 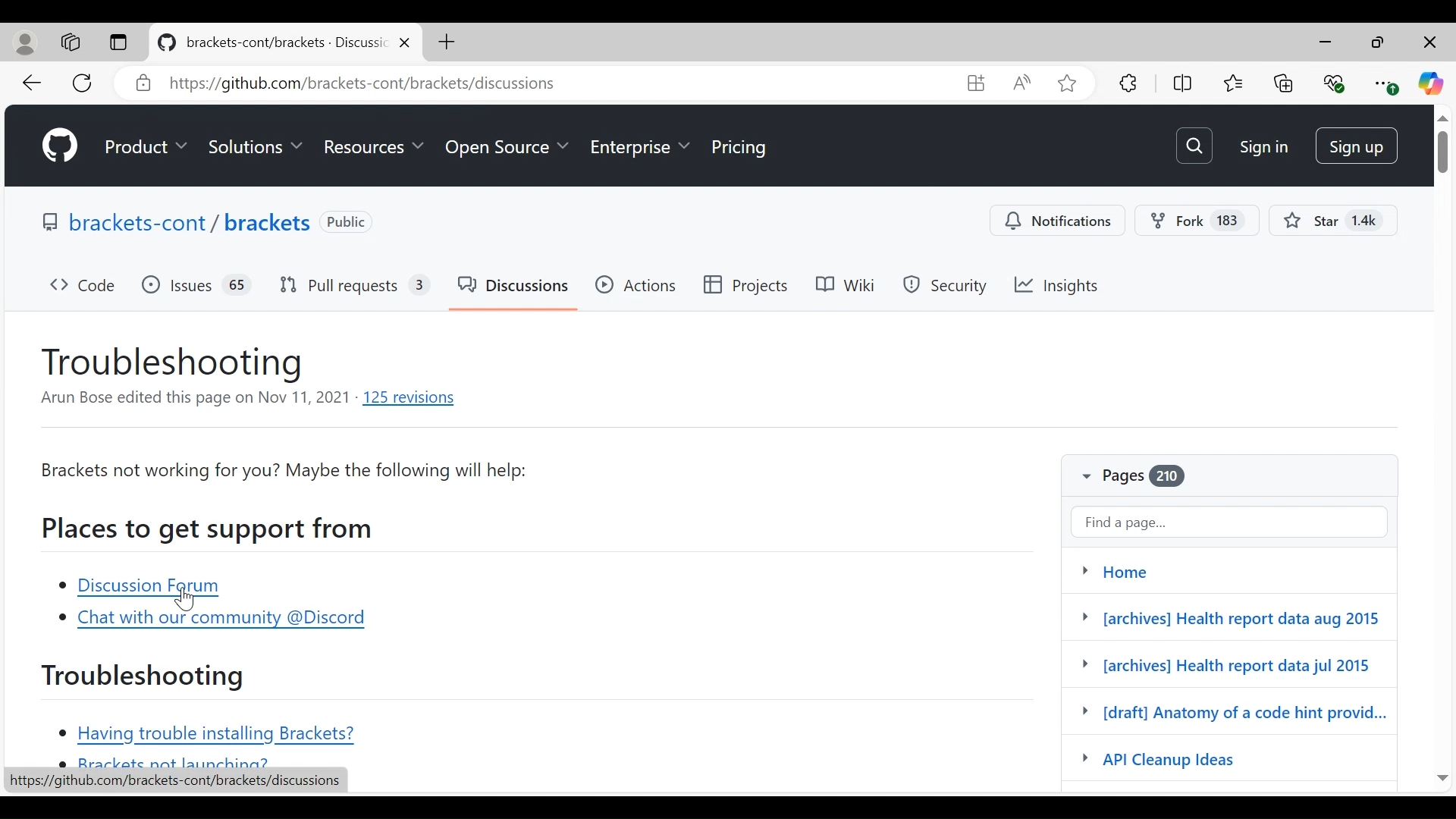 I want to click on Pull Requests, so click(x=354, y=287).